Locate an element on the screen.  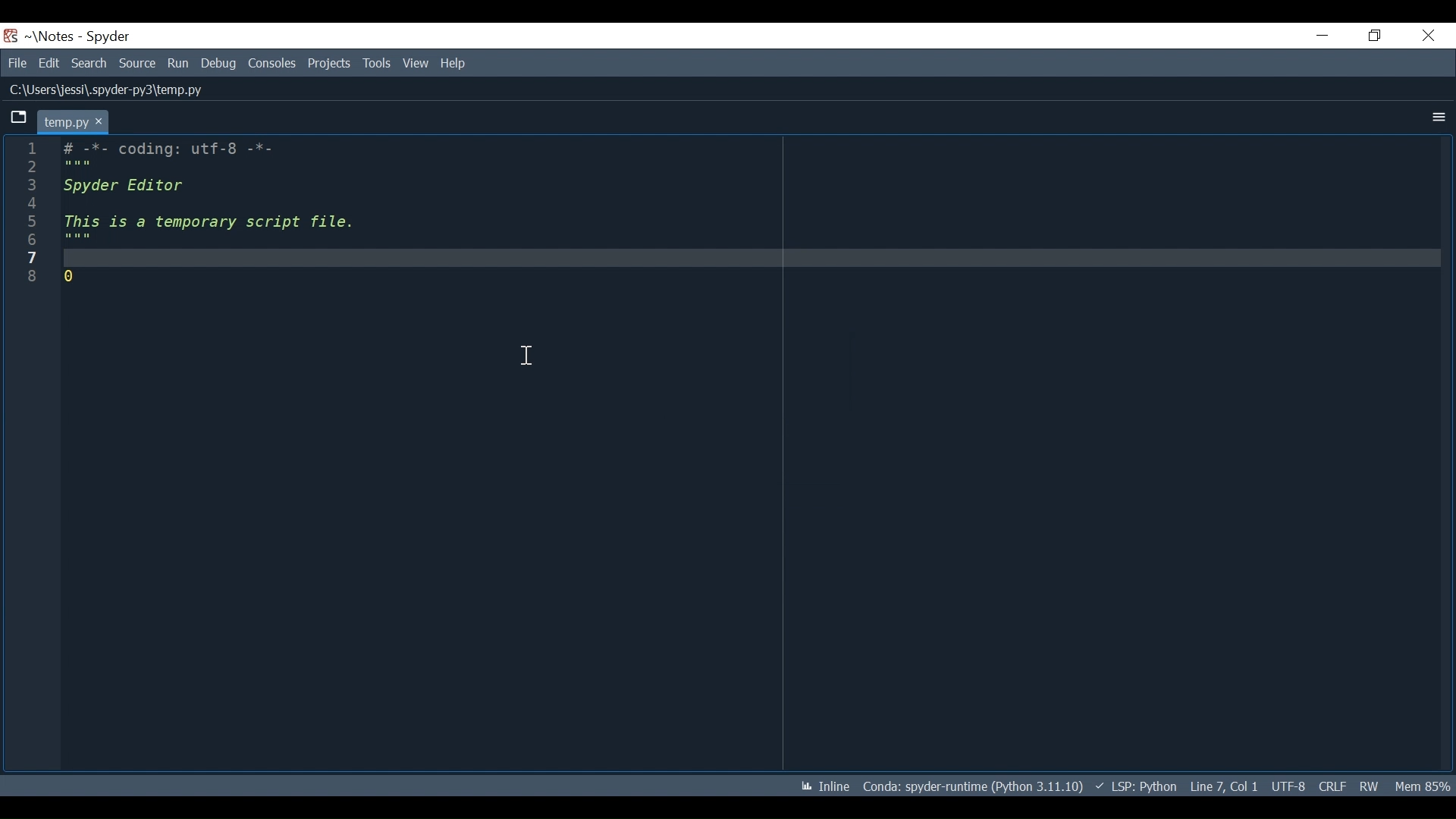
Run is located at coordinates (179, 64).